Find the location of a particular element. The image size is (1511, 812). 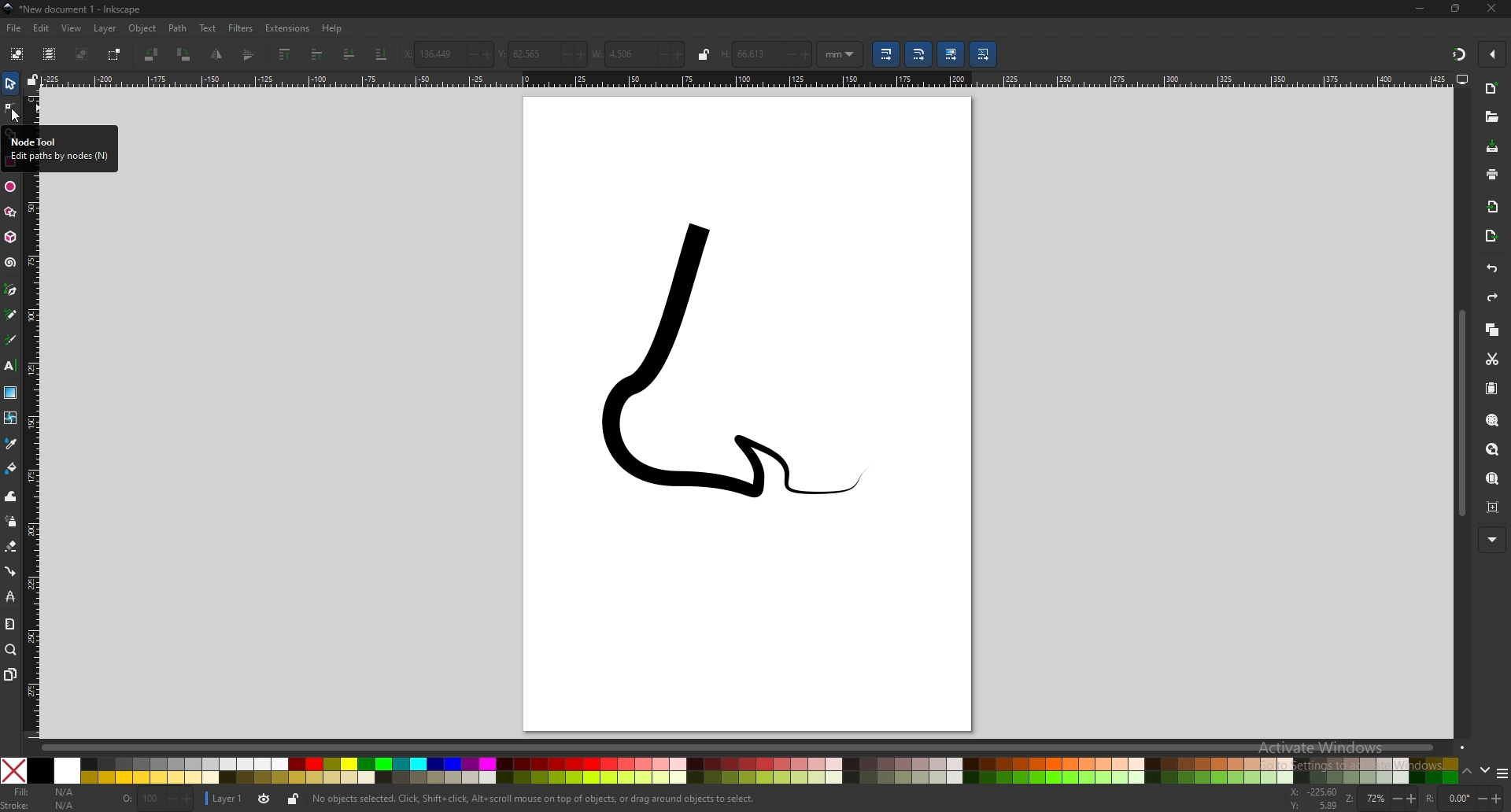

edit is located at coordinates (41, 28).